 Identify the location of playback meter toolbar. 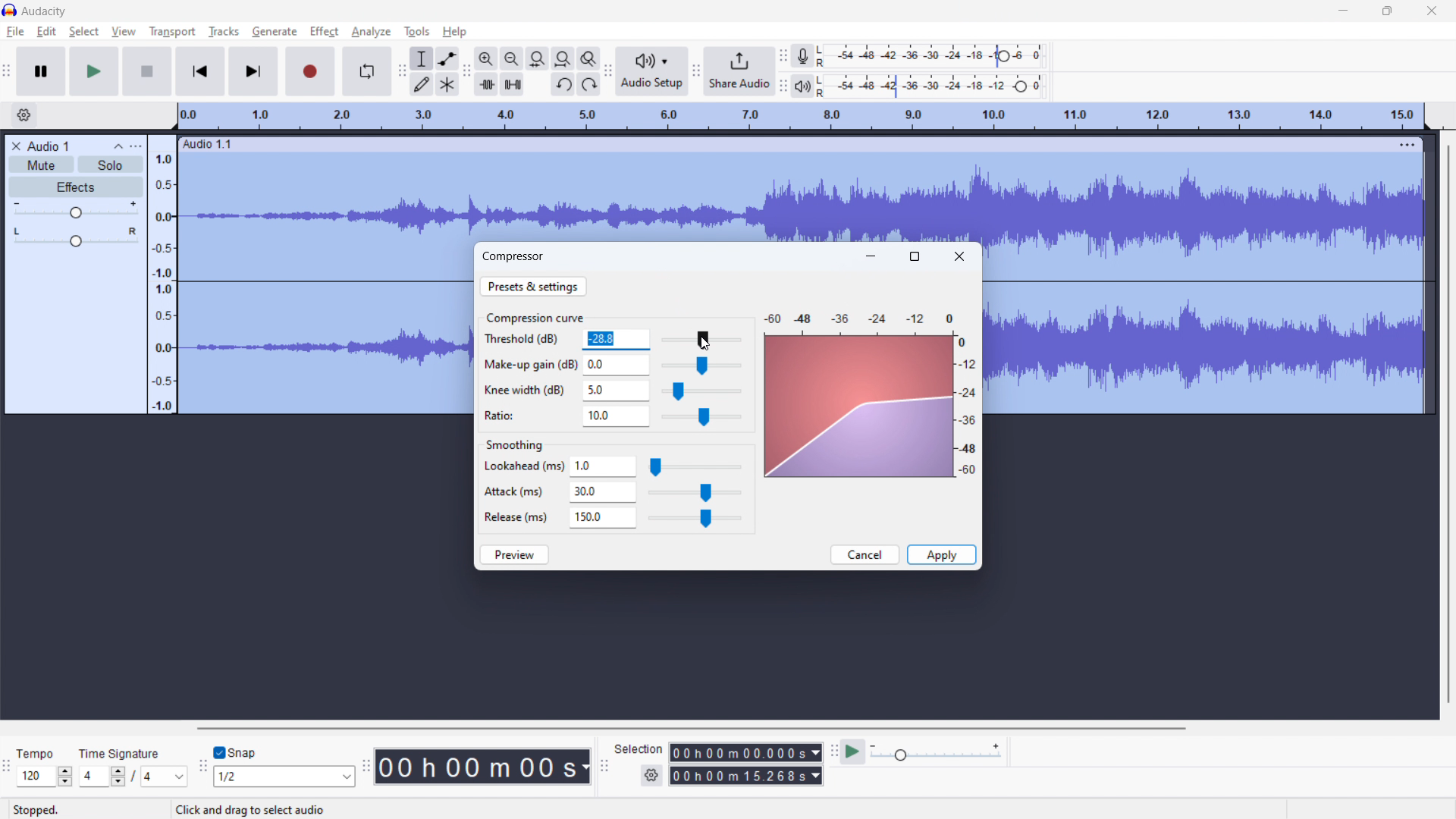
(783, 87).